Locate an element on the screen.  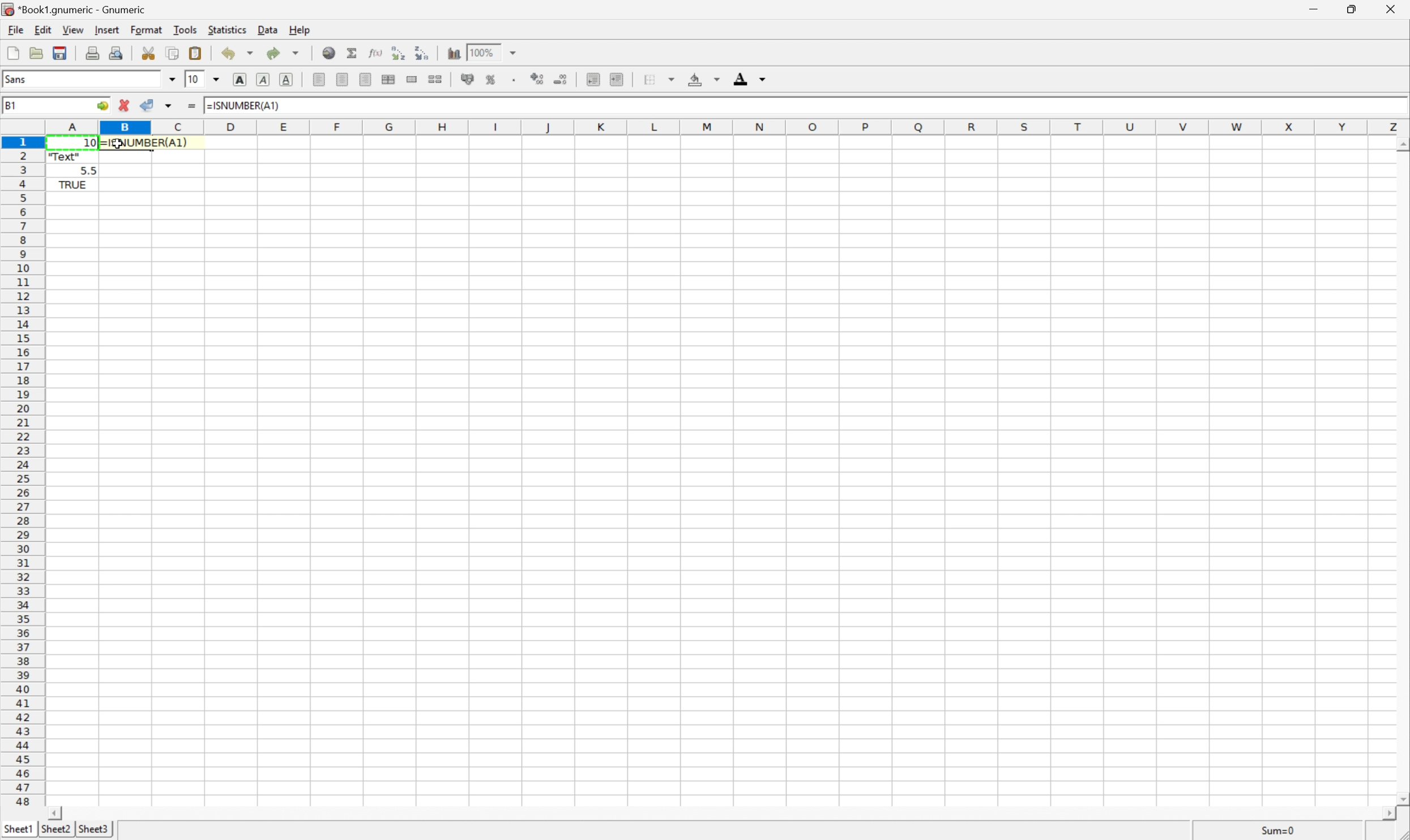
Scroll Right is located at coordinates (1383, 812).